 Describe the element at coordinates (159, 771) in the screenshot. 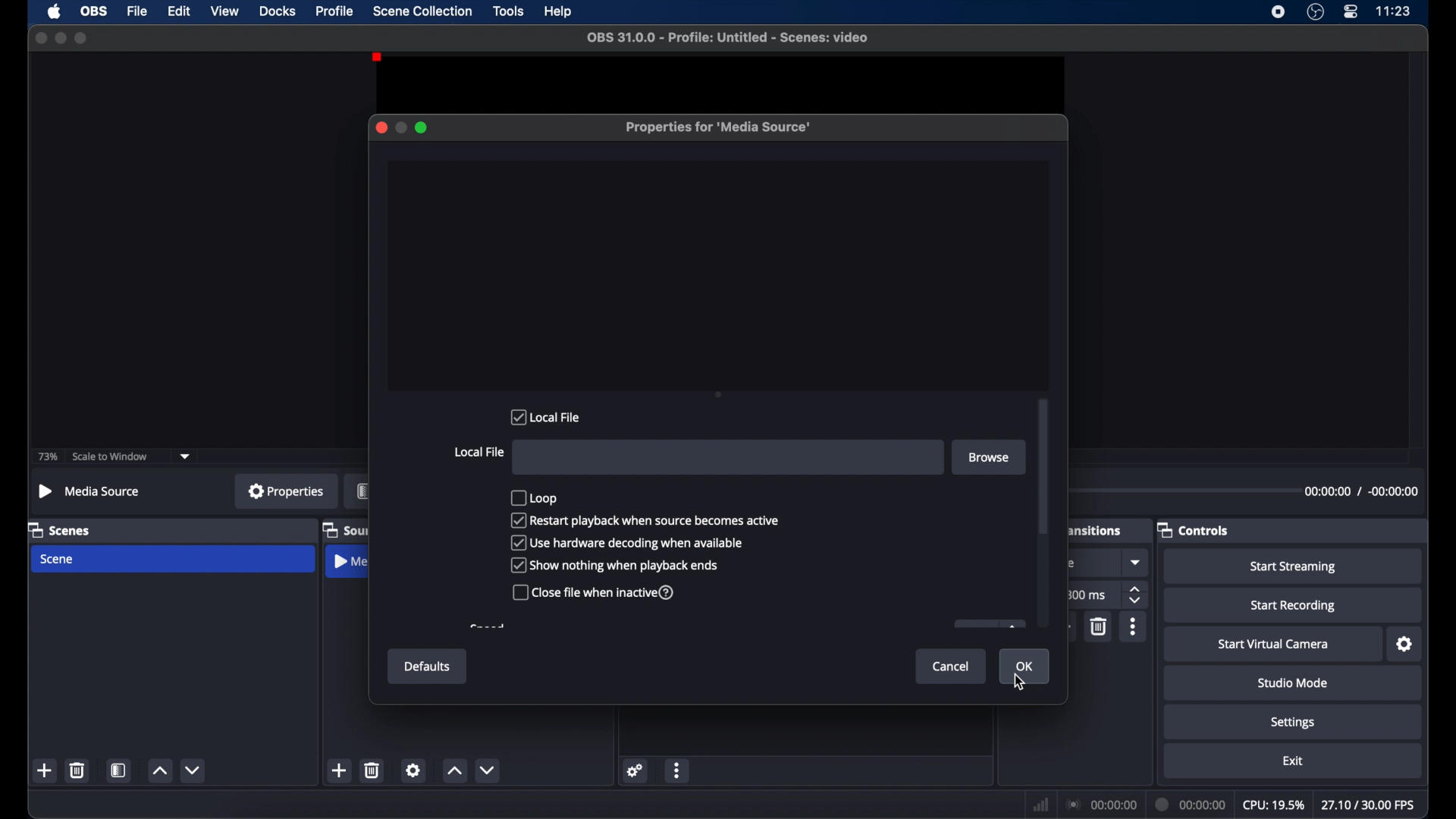

I see `increment` at that location.